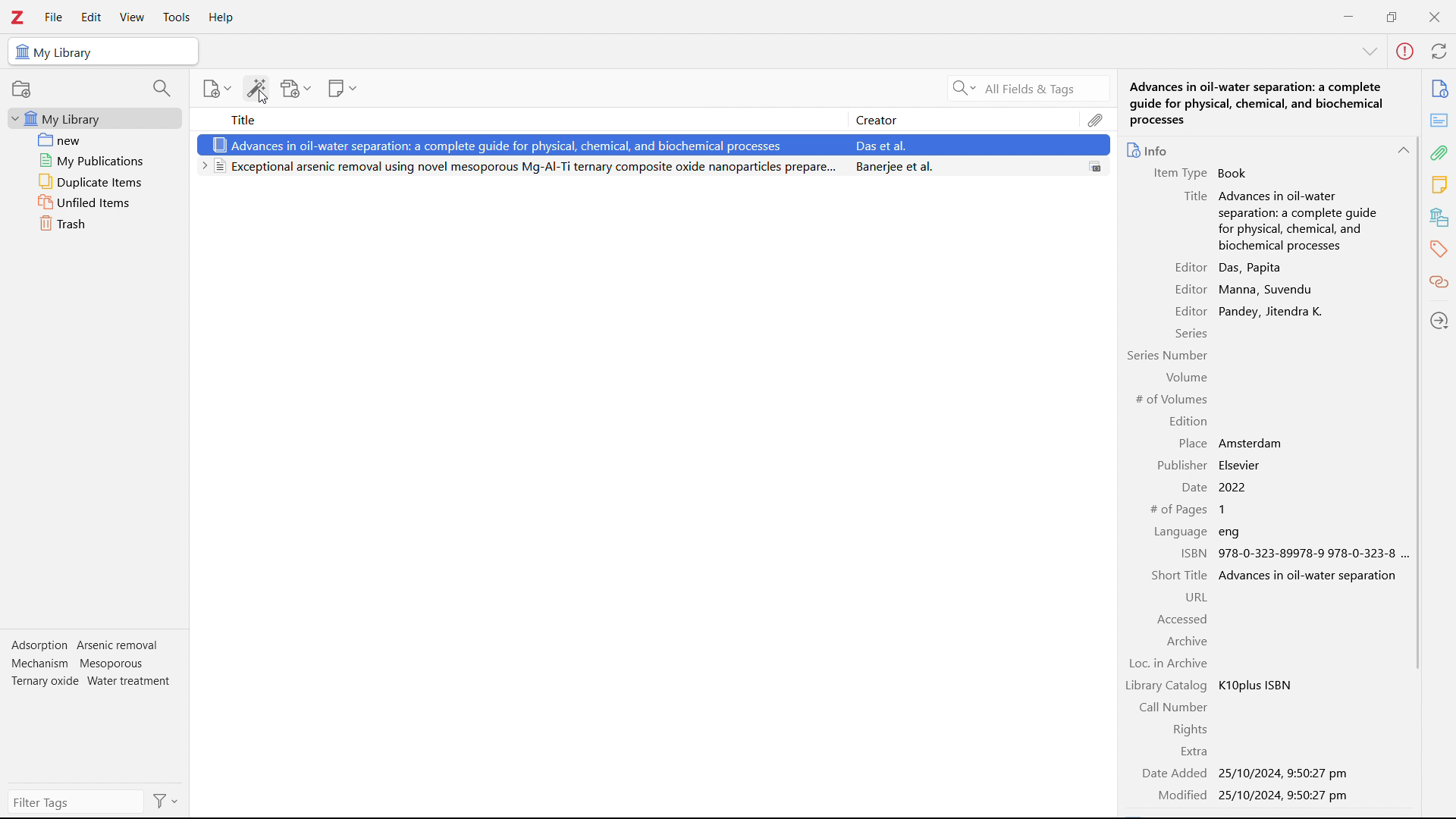  What do you see at coordinates (1283, 773) in the screenshot?
I see `25/10/2024, 9:50:27 PM` at bounding box center [1283, 773].